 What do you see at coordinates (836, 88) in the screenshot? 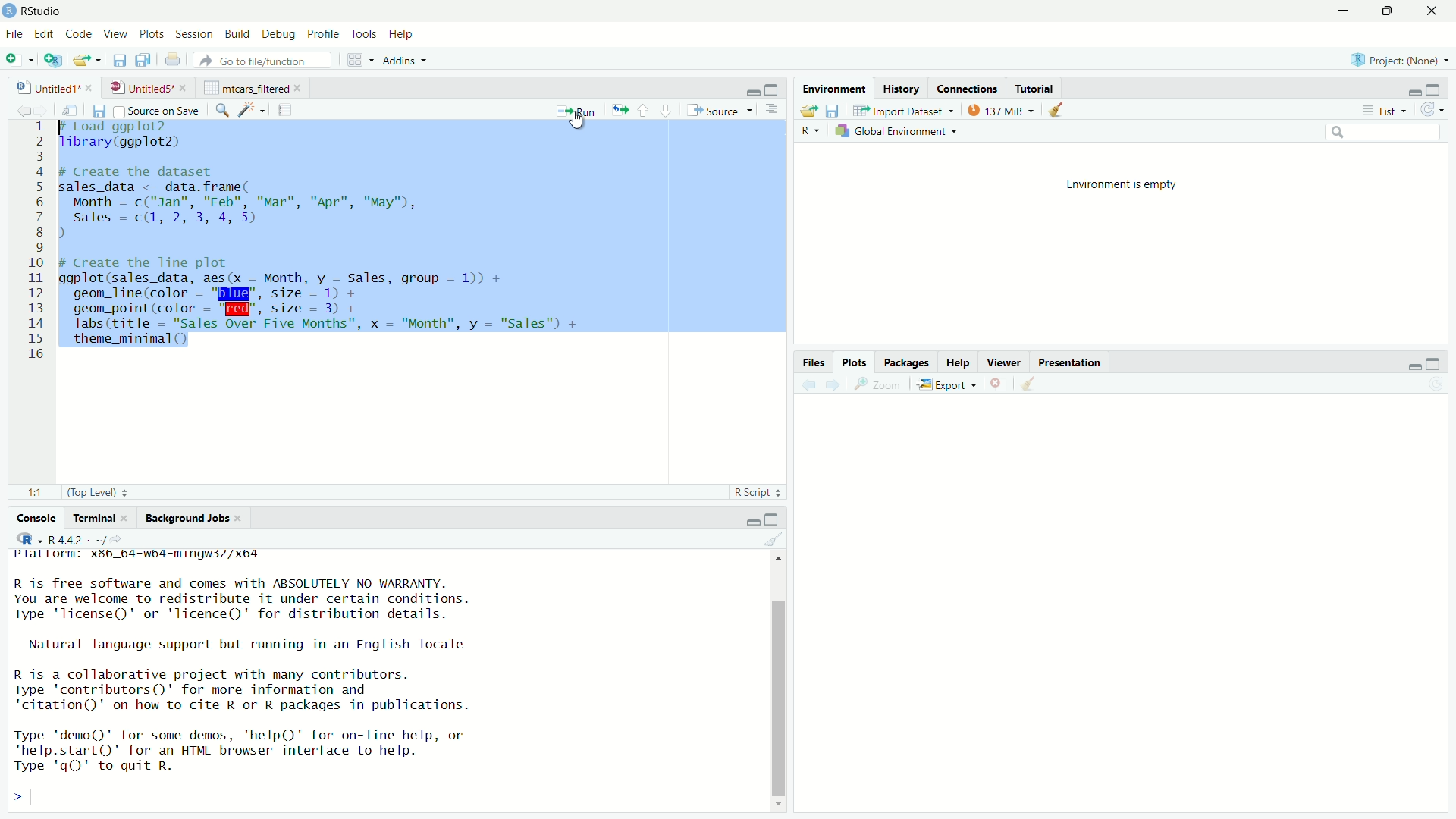
I see `Environment` at bounding box center [836, 88].